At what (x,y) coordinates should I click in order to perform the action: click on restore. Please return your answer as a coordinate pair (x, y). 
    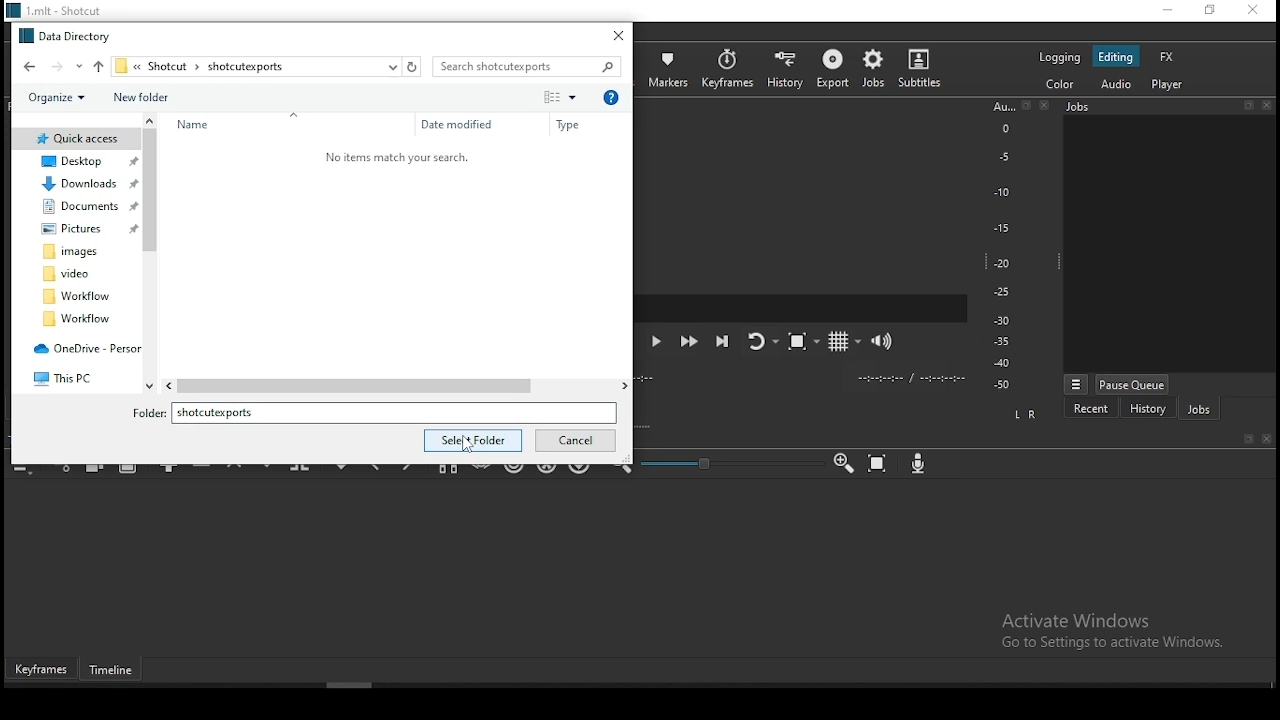
    Looking at the image, I should click on (1209, 11).